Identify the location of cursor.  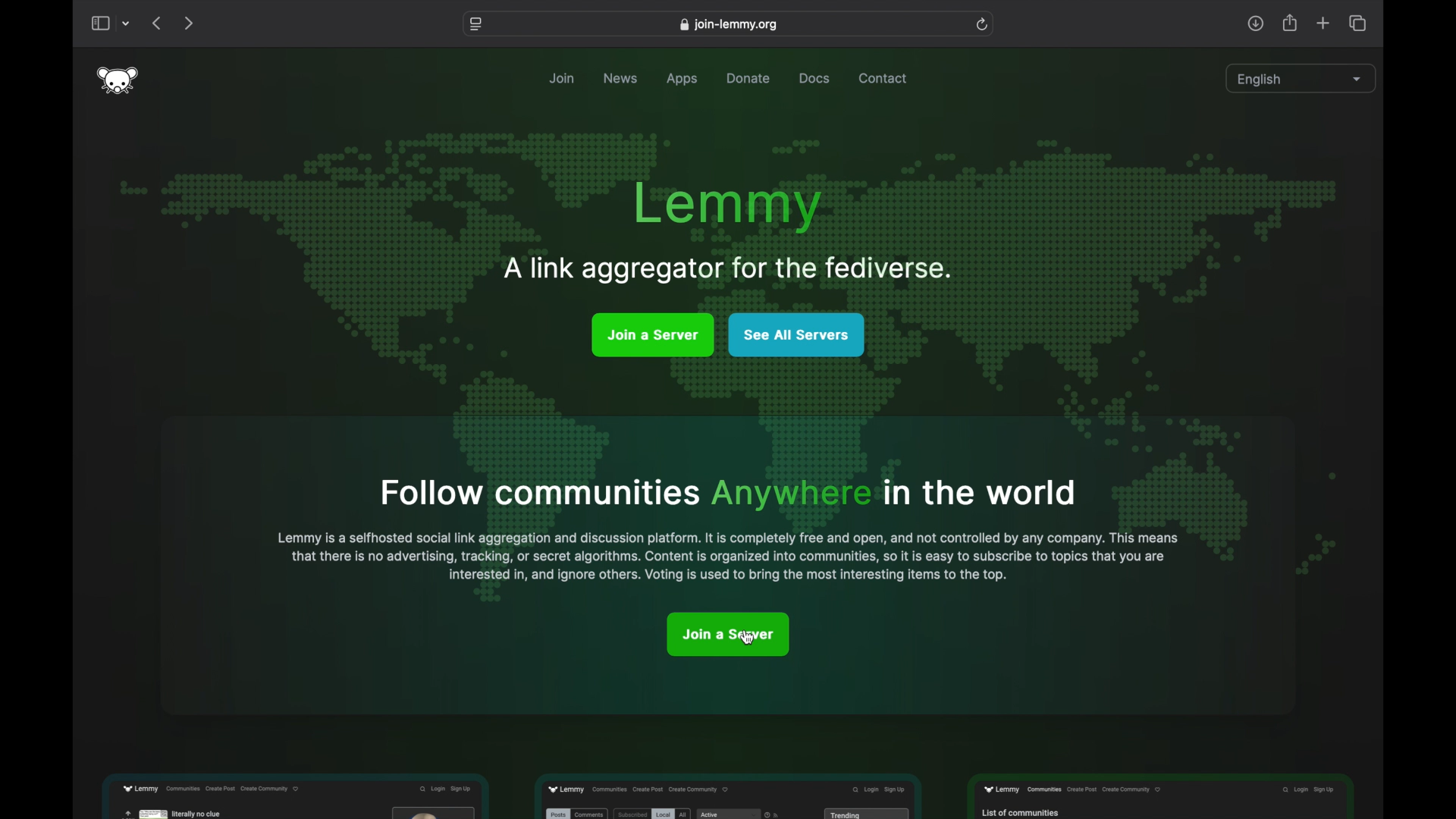
(747, 639).